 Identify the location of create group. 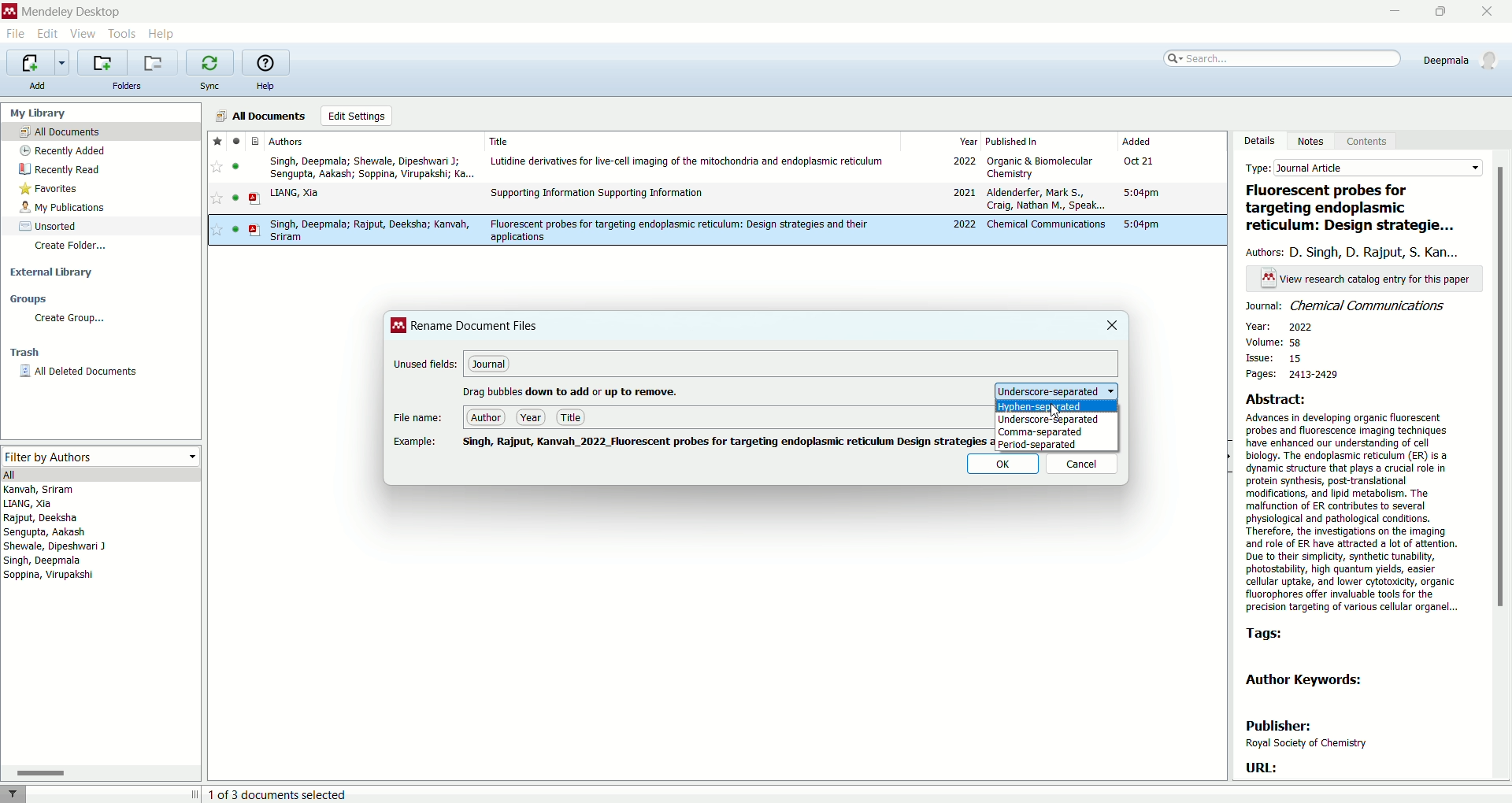
(68, 320).